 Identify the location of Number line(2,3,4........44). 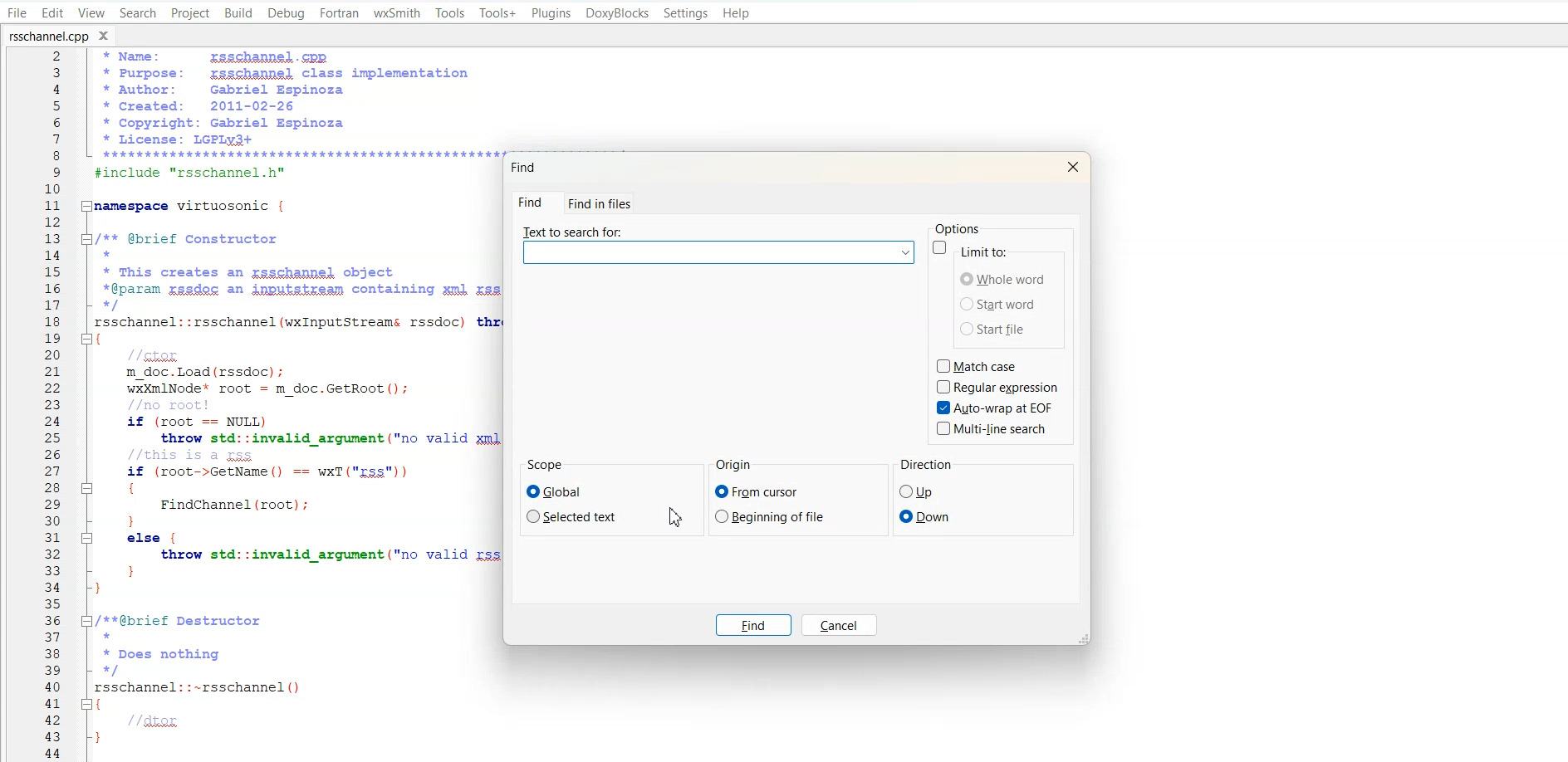
(53, 405).